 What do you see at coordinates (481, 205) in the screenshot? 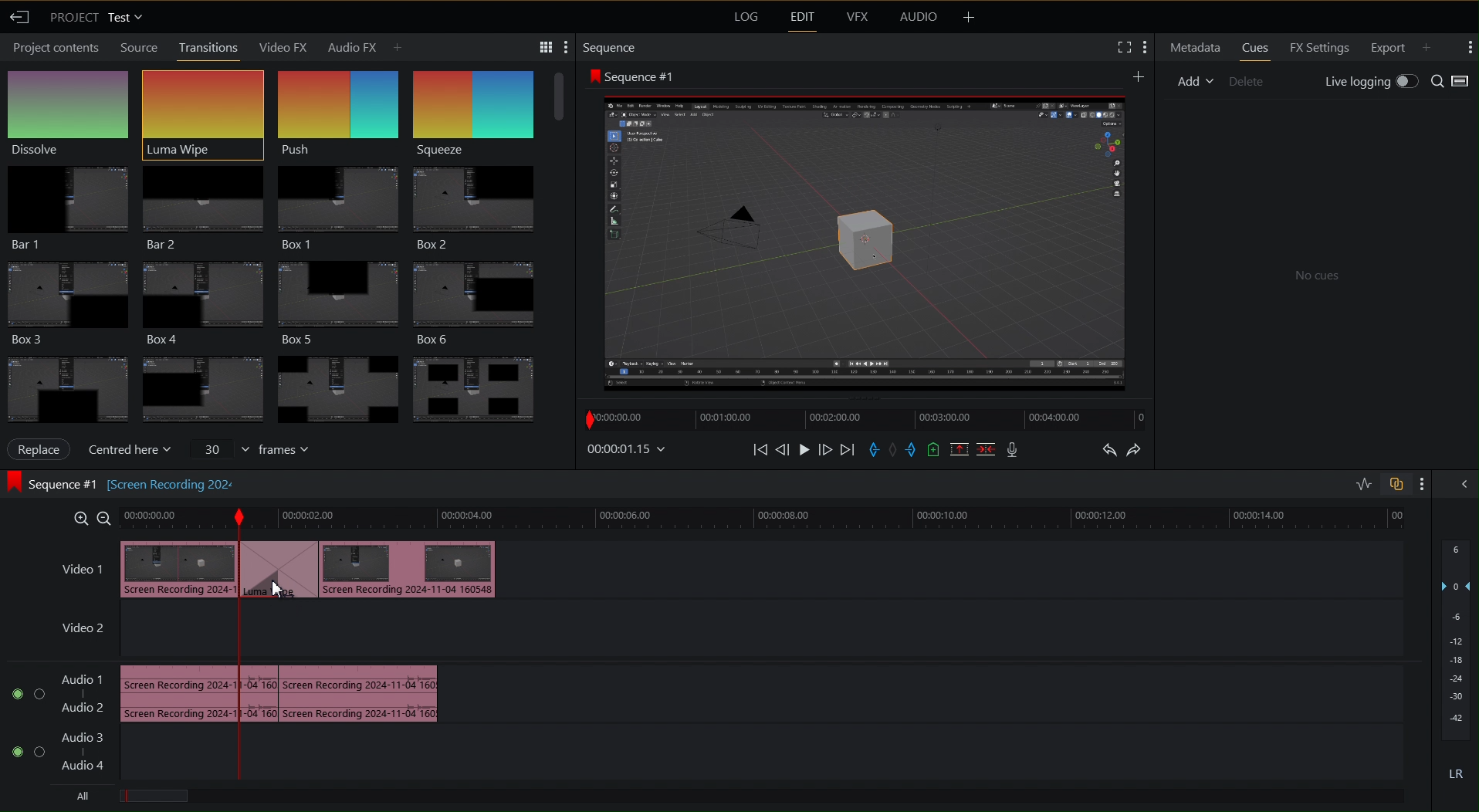
I see `Box 2` at bounding box center [481, 205].